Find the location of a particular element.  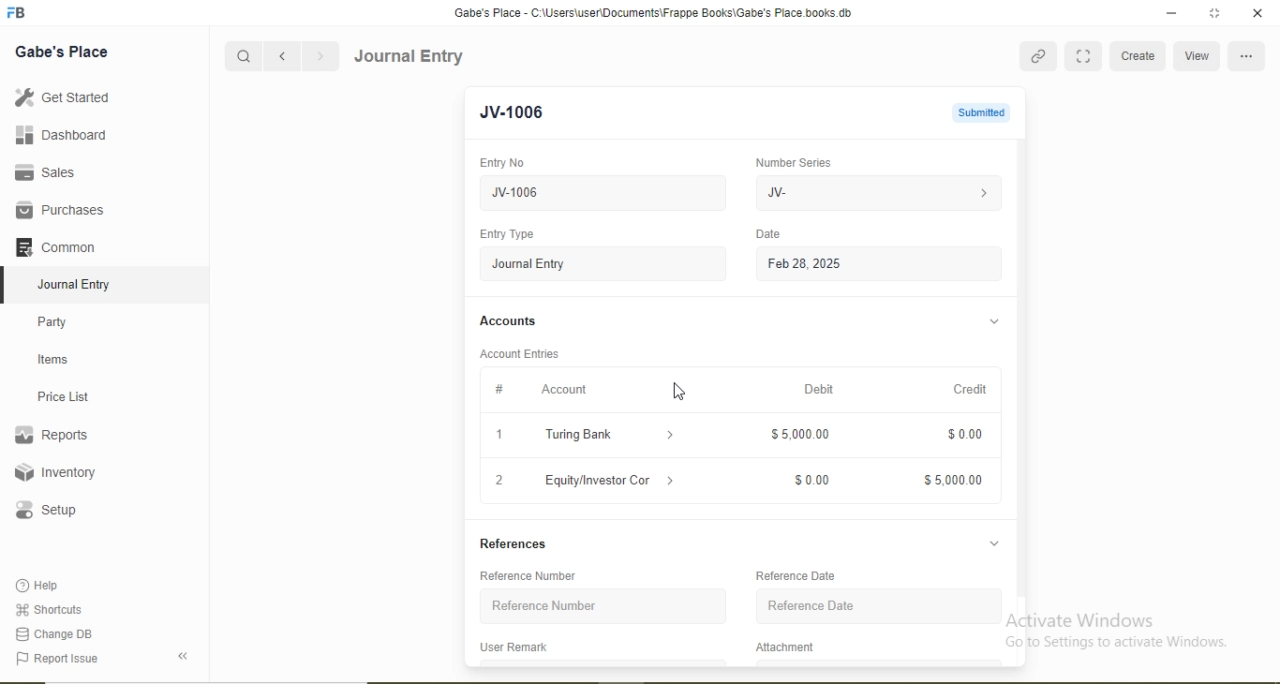

‘Gabe's Place - C:\Users\useriDocuments\Frappe Books\Gabe's Place books db is located at coordinates (652, 13).